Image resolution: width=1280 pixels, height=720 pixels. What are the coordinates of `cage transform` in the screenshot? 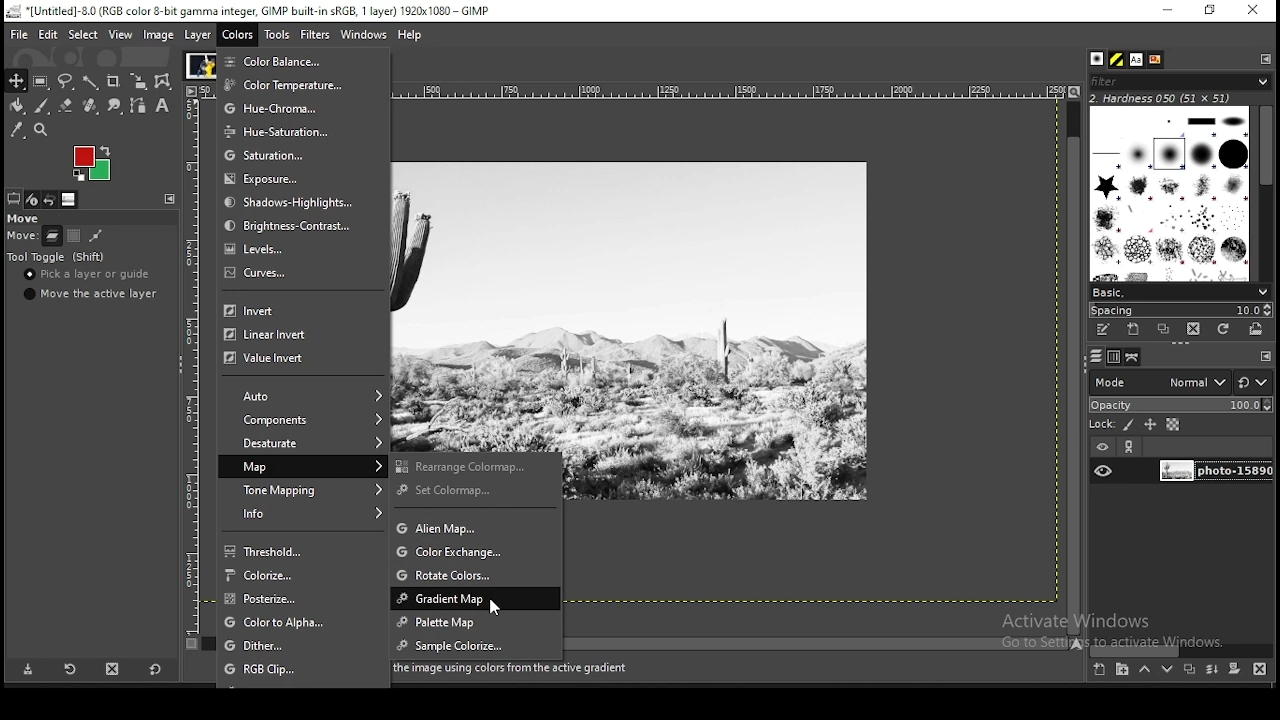 It's located at (165, 82).